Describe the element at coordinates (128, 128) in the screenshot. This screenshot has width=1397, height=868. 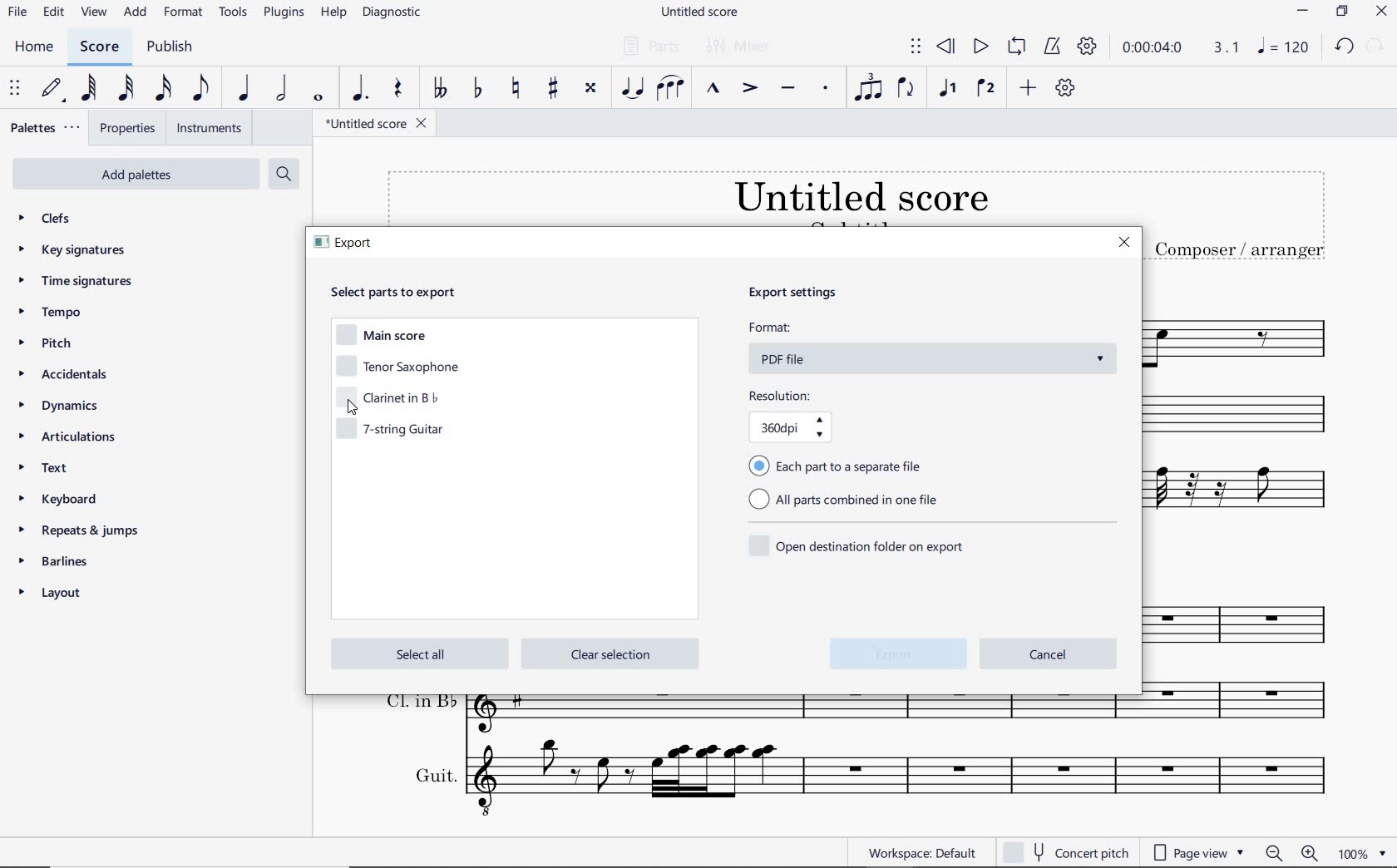
I see `PROPERTIES` at that location.